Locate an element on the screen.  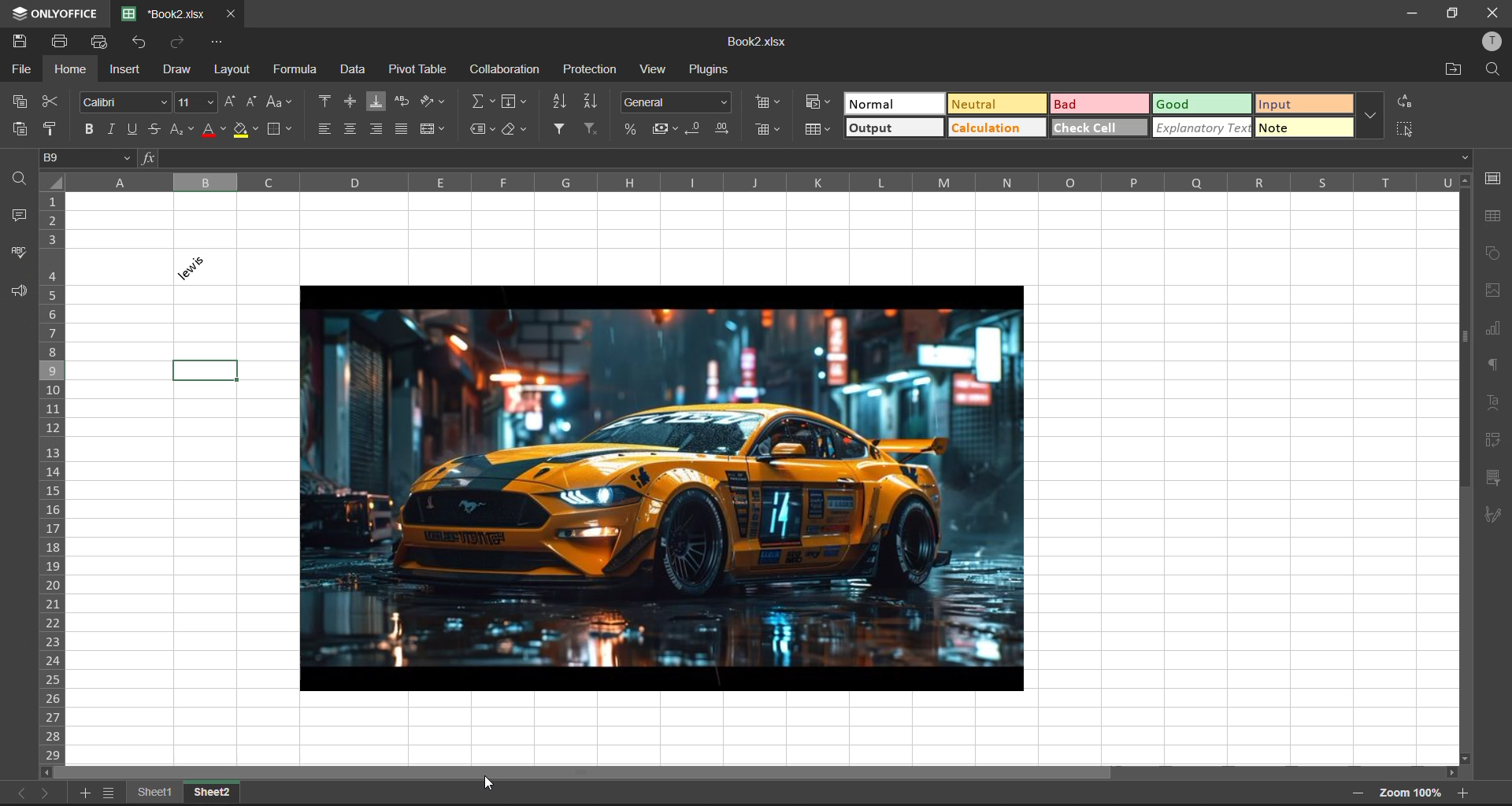
increment size is located at coordinates (235, 104).